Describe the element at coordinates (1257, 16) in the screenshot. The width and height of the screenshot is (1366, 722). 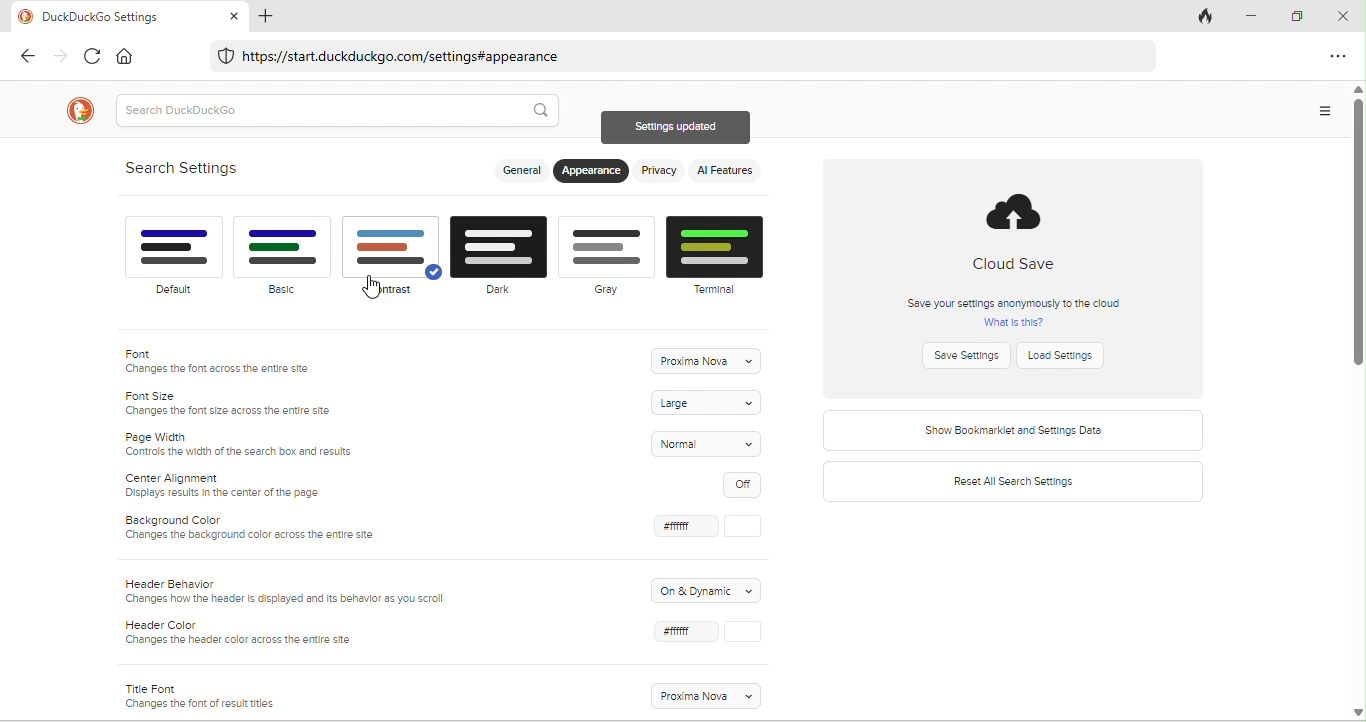
I see `minimize` at that location.